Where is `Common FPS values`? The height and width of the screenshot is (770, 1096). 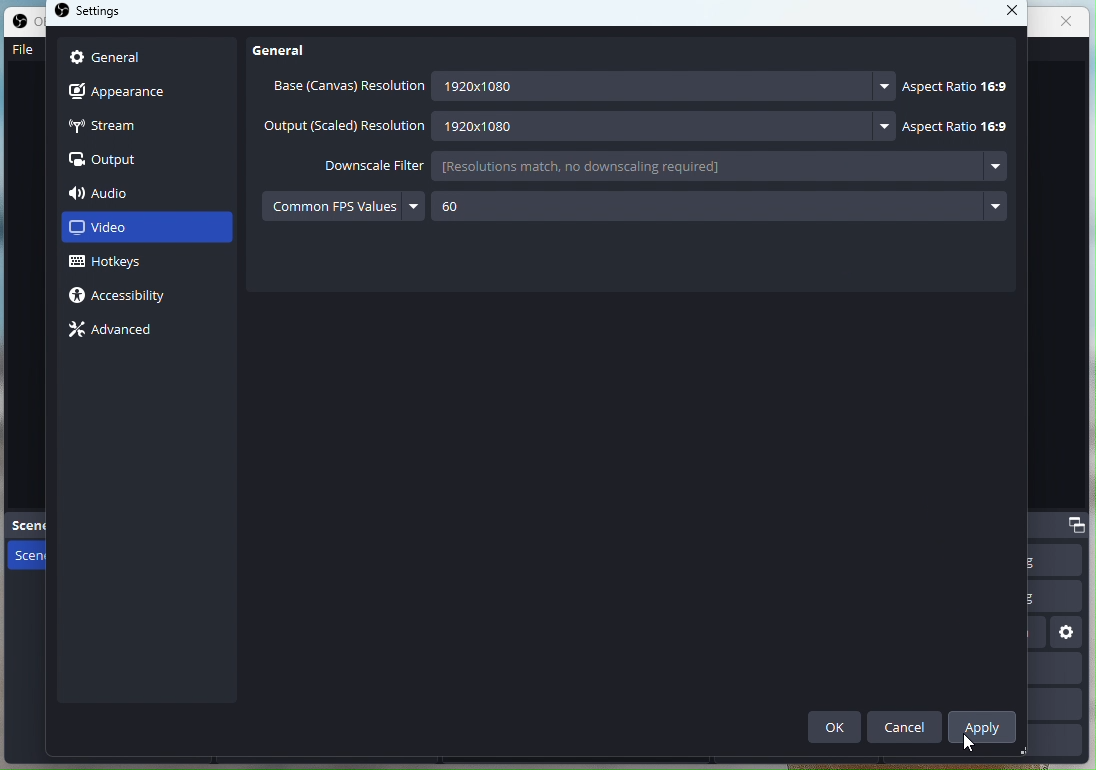 Common FPS values is located at coordinates (330, 205).